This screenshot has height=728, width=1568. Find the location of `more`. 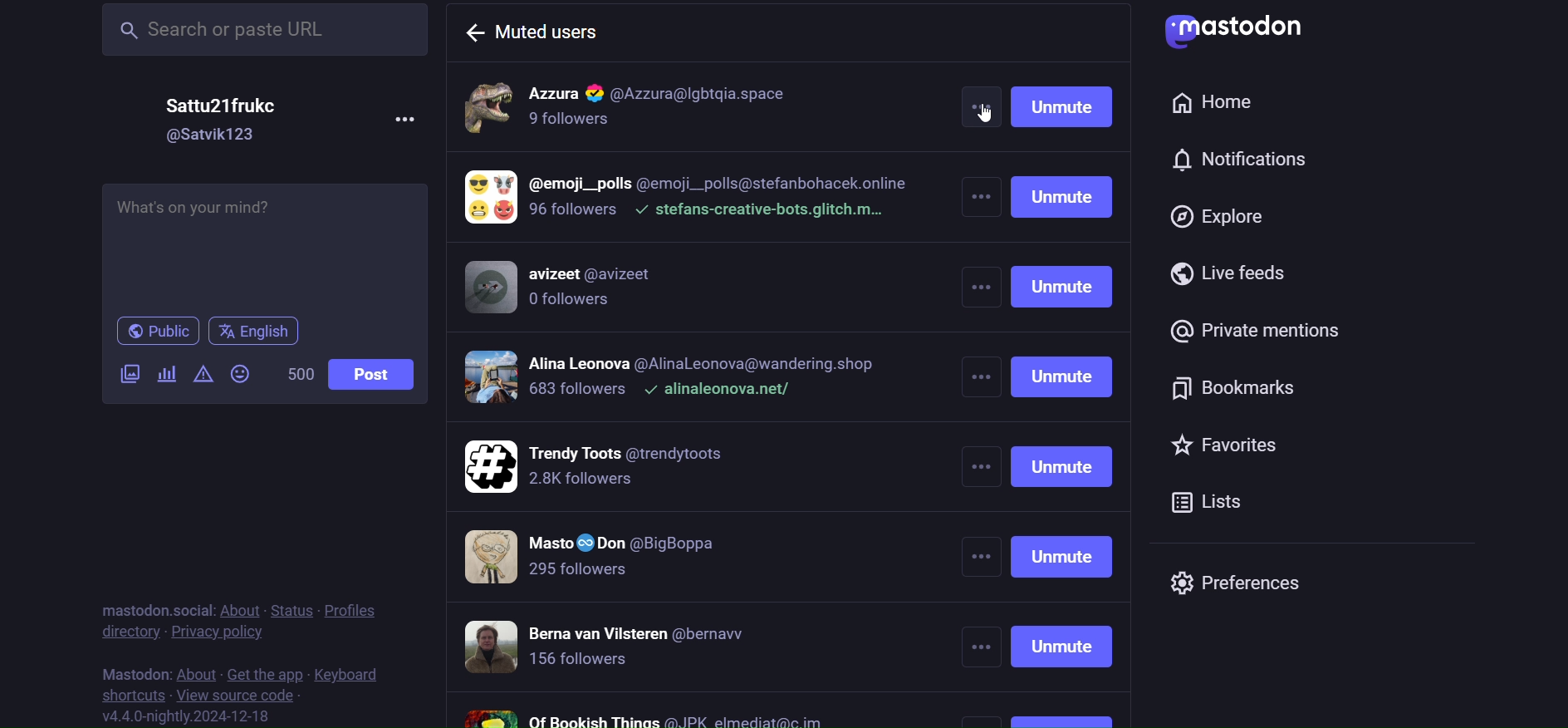

more is located at coordinates (419, 114).